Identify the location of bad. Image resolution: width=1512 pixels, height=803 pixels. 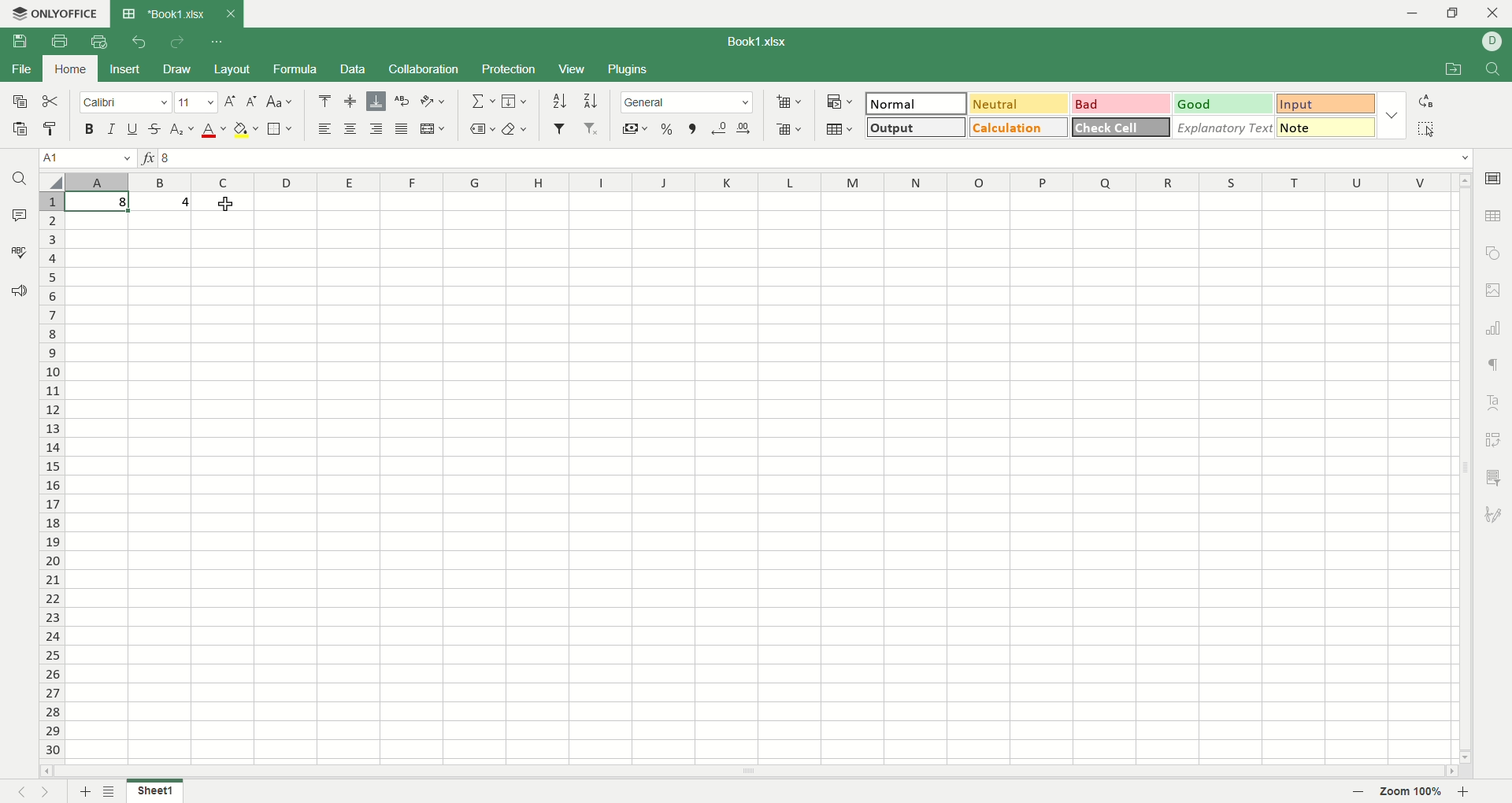
(1120, 102).